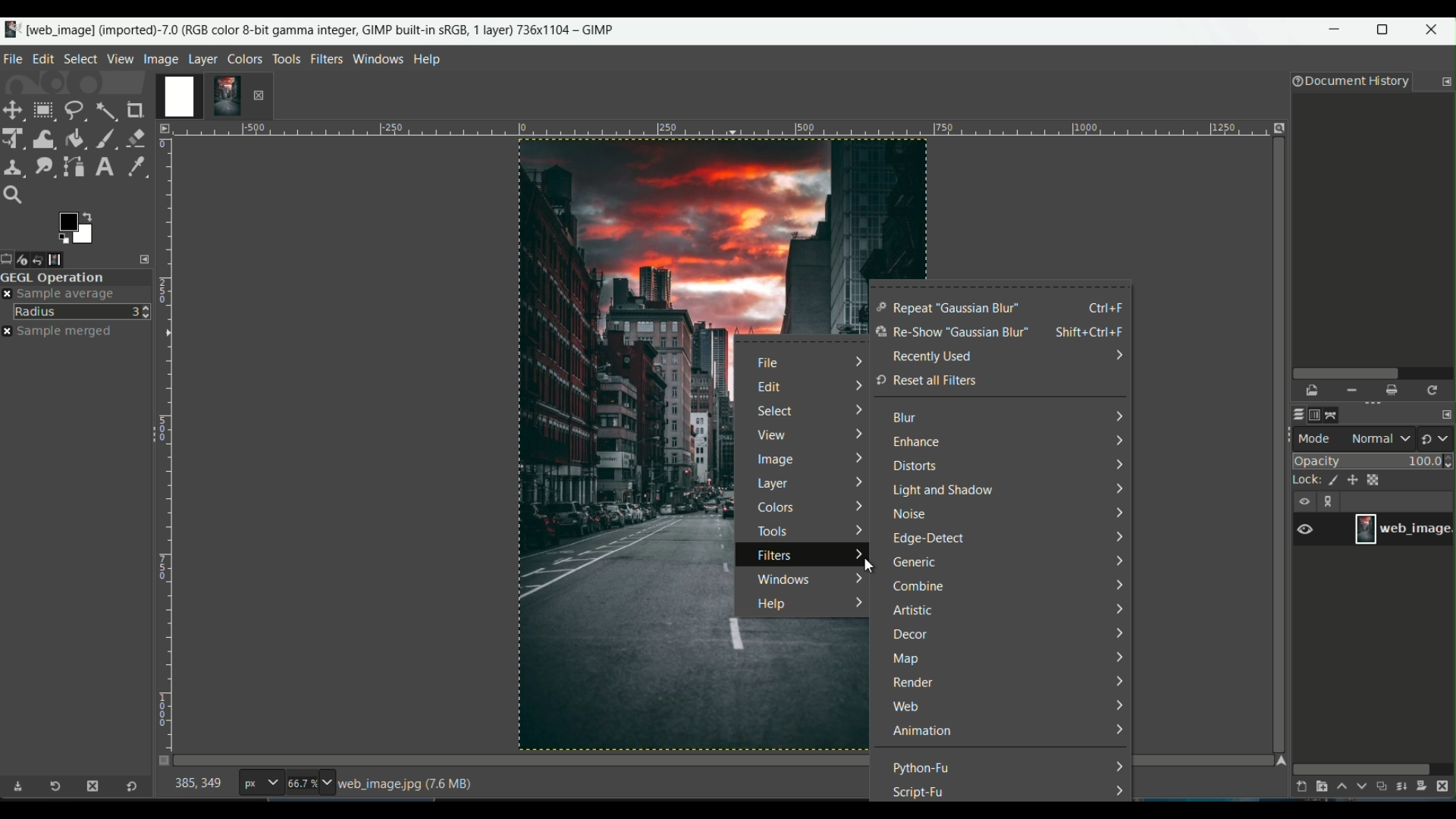 The width and height of the screenshot is (1456, 819). I want to click on layers tab, so click(205, 58).